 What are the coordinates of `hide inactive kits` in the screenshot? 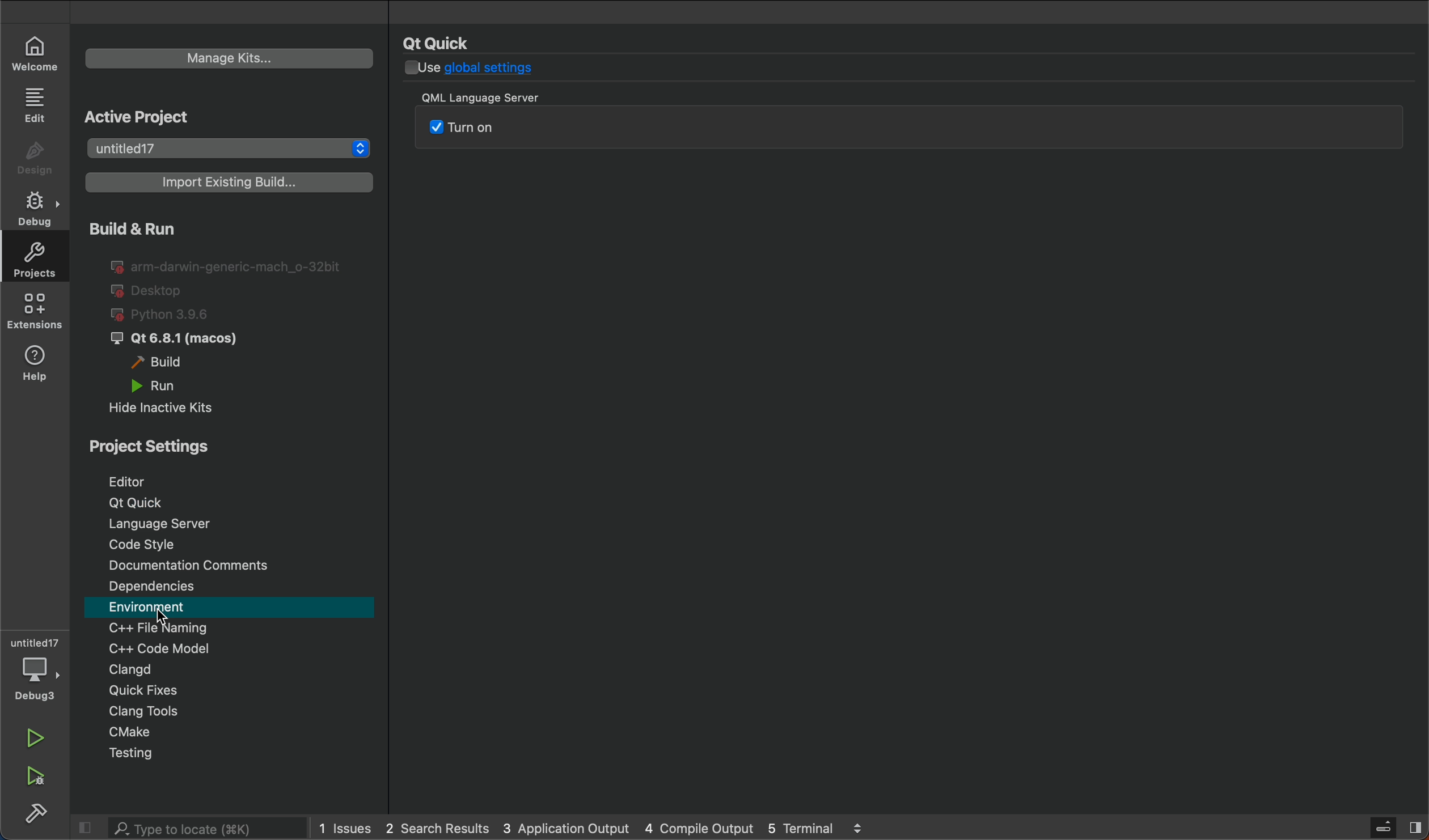 It's located at (173, 406).